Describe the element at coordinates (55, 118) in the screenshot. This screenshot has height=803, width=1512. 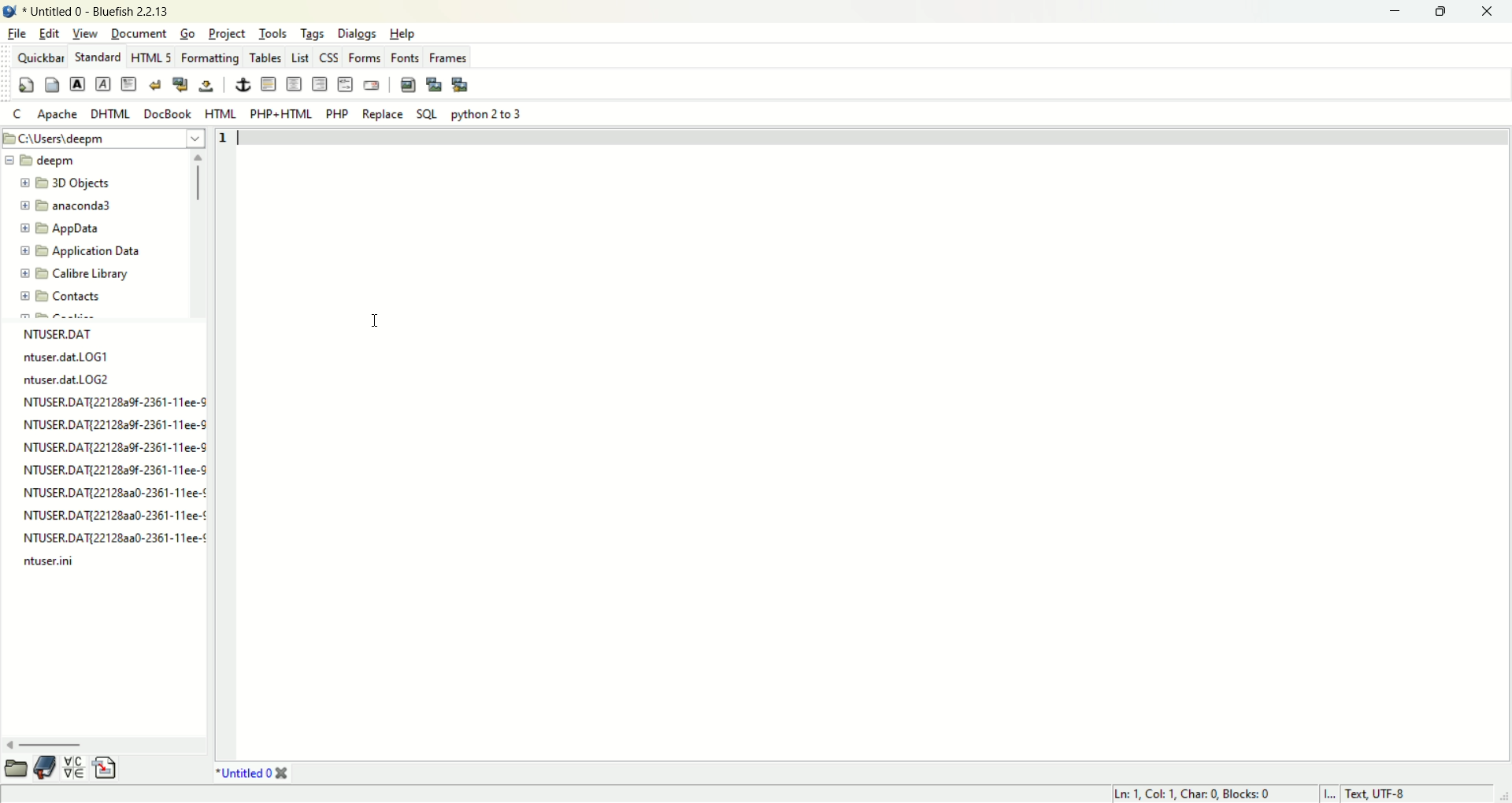
I see `Apache` at that location.